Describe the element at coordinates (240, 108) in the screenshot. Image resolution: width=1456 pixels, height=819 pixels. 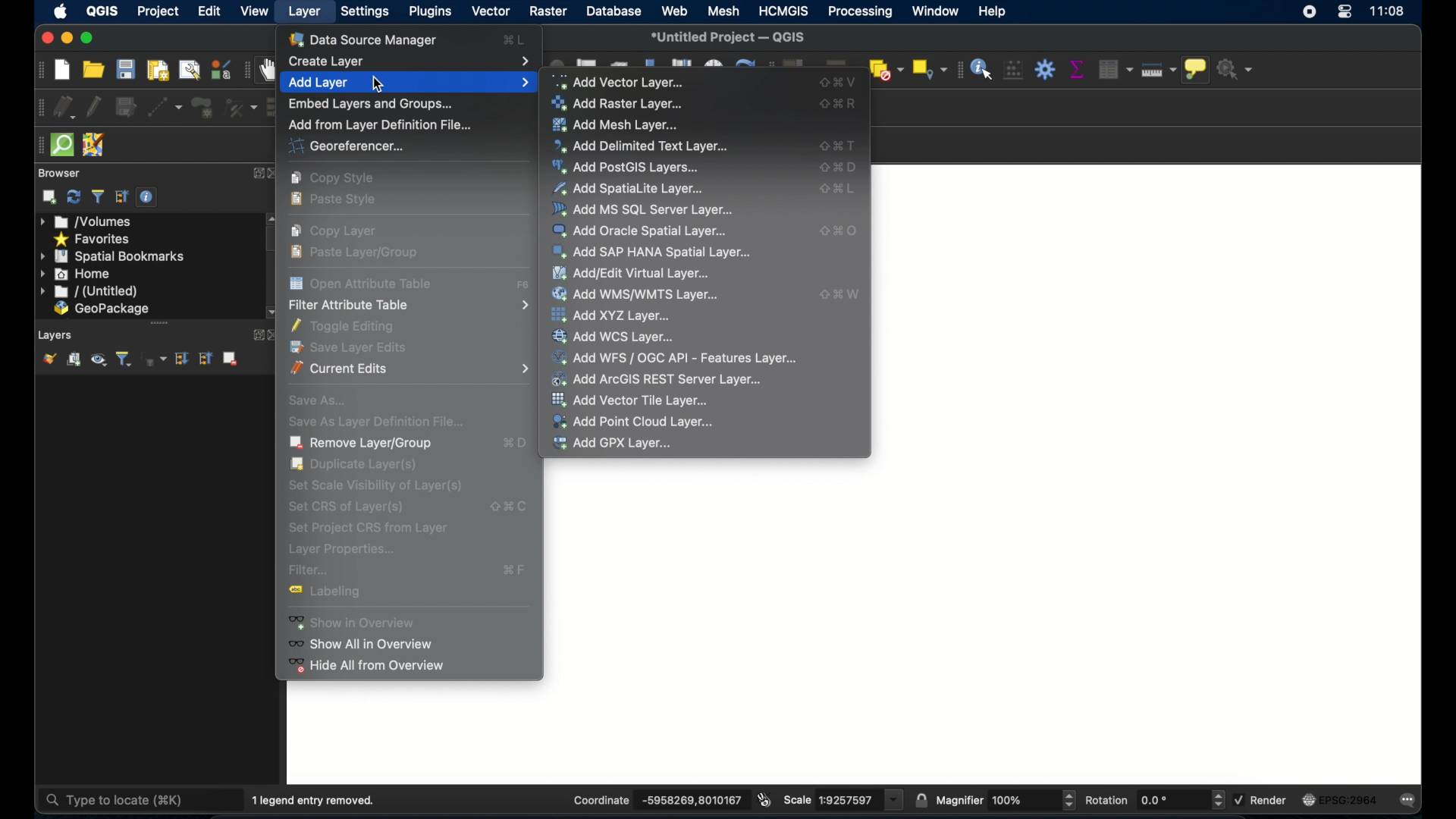
I see `modify attributes ` at that location.